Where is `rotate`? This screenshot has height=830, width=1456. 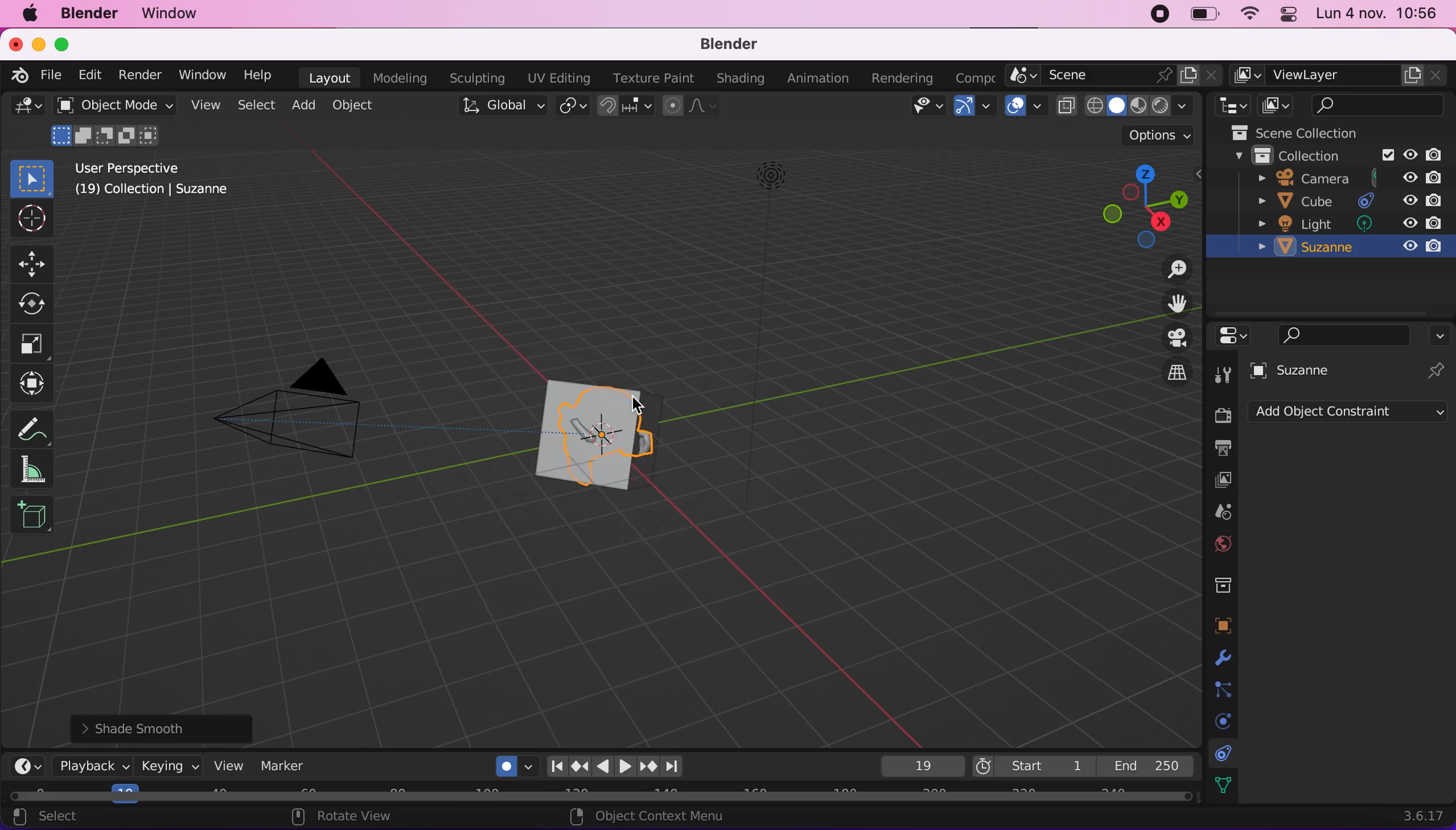 rotate is located at coordinates (35, 304).